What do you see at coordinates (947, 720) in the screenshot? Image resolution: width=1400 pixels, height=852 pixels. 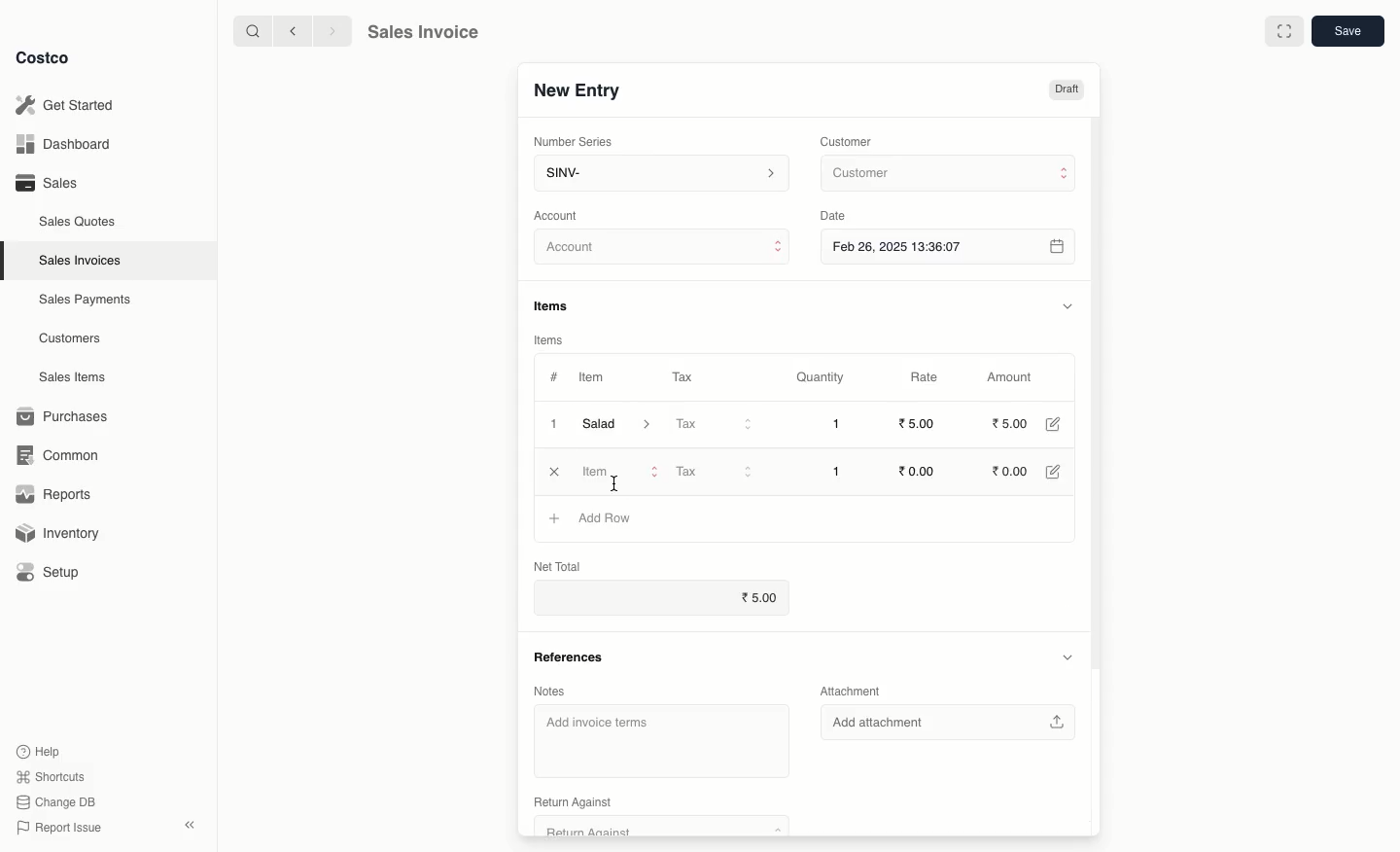 I see `‘Add attachment` at bounding box center [947, 720].